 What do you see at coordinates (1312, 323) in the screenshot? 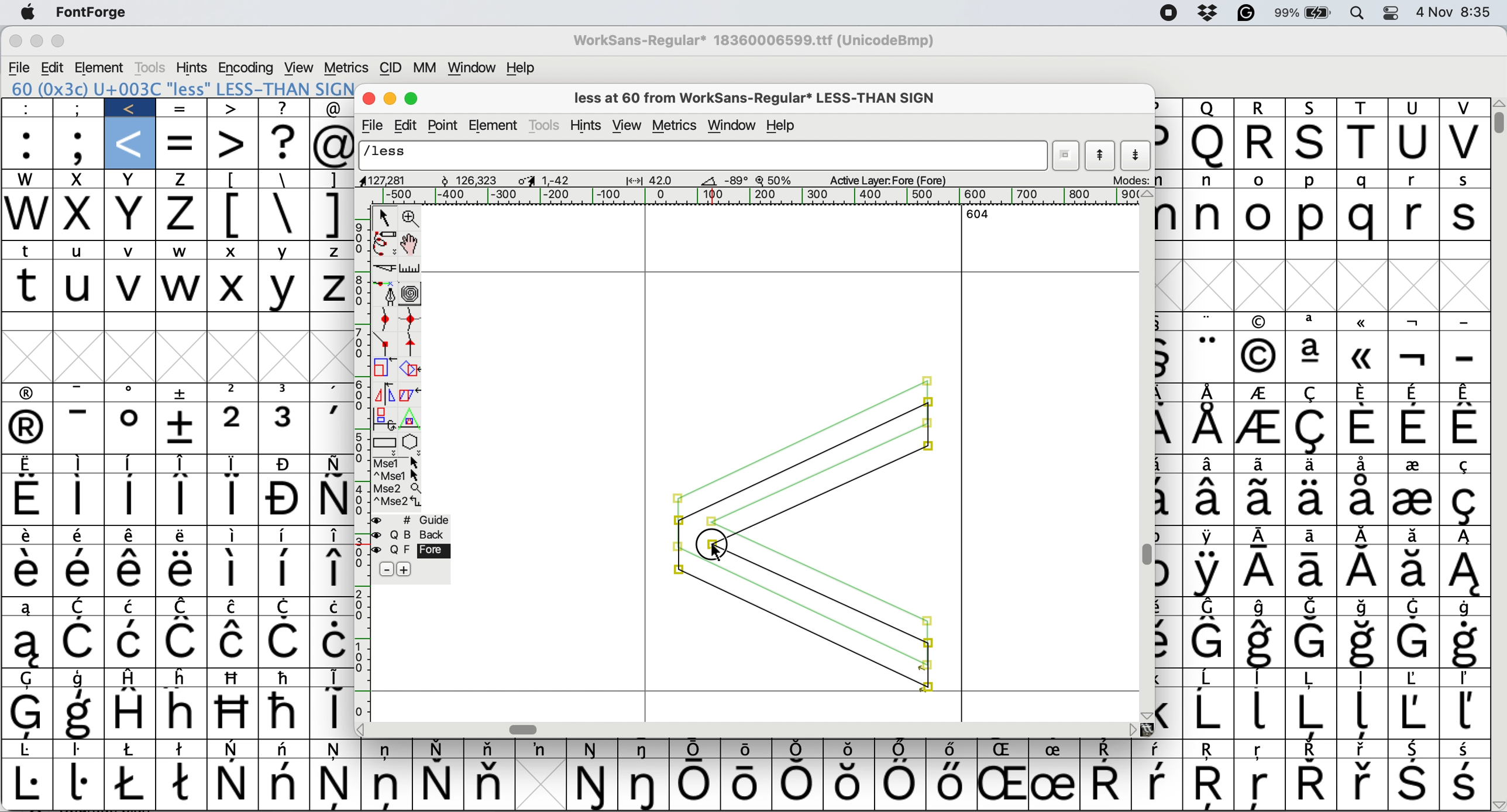
I see `Symbol` at bounding box center [1312, 323].